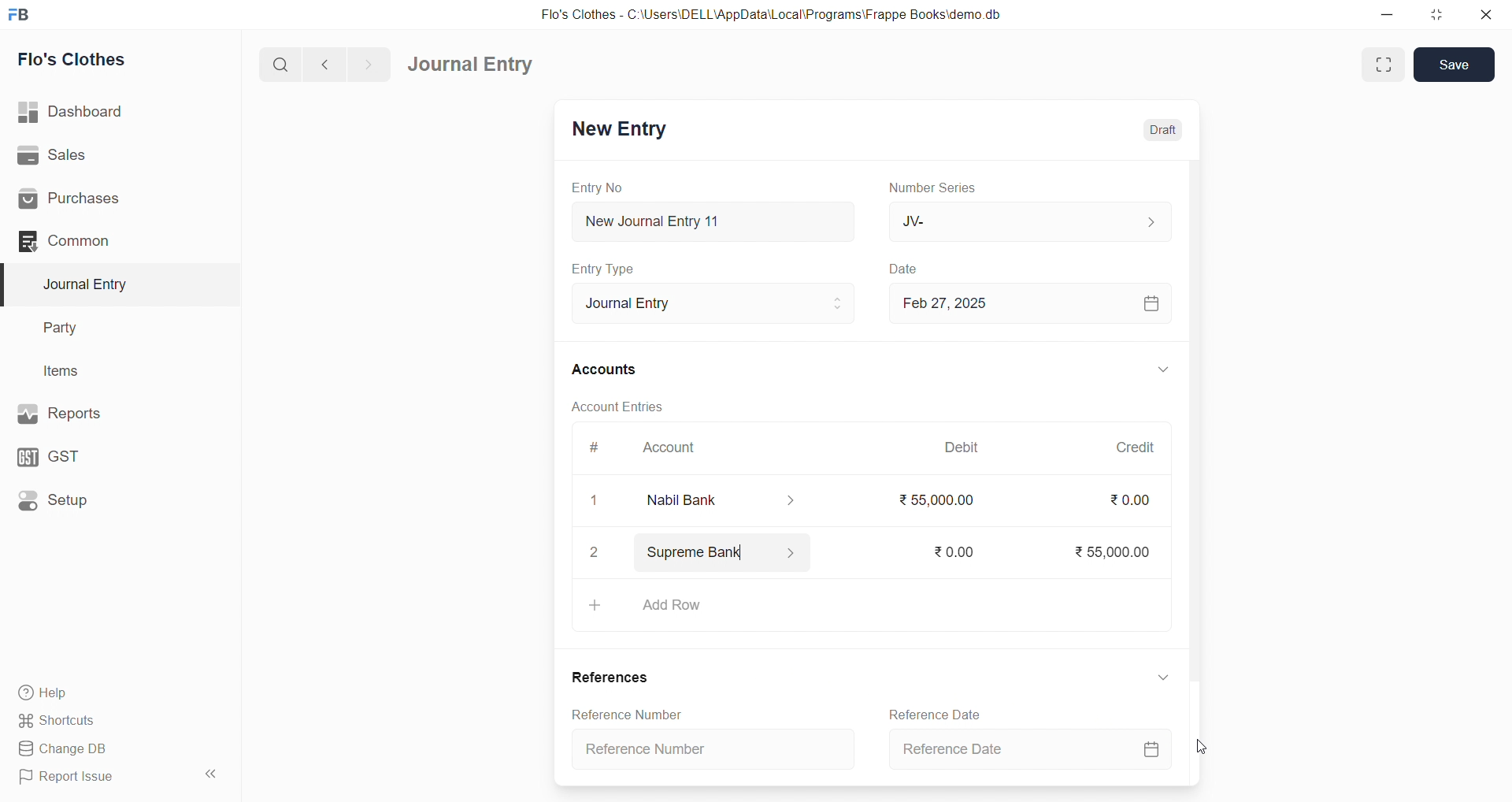  Describe the element at coordinates (713, 221) in the screenshot. I see `New Journal Entry 11` at that location.